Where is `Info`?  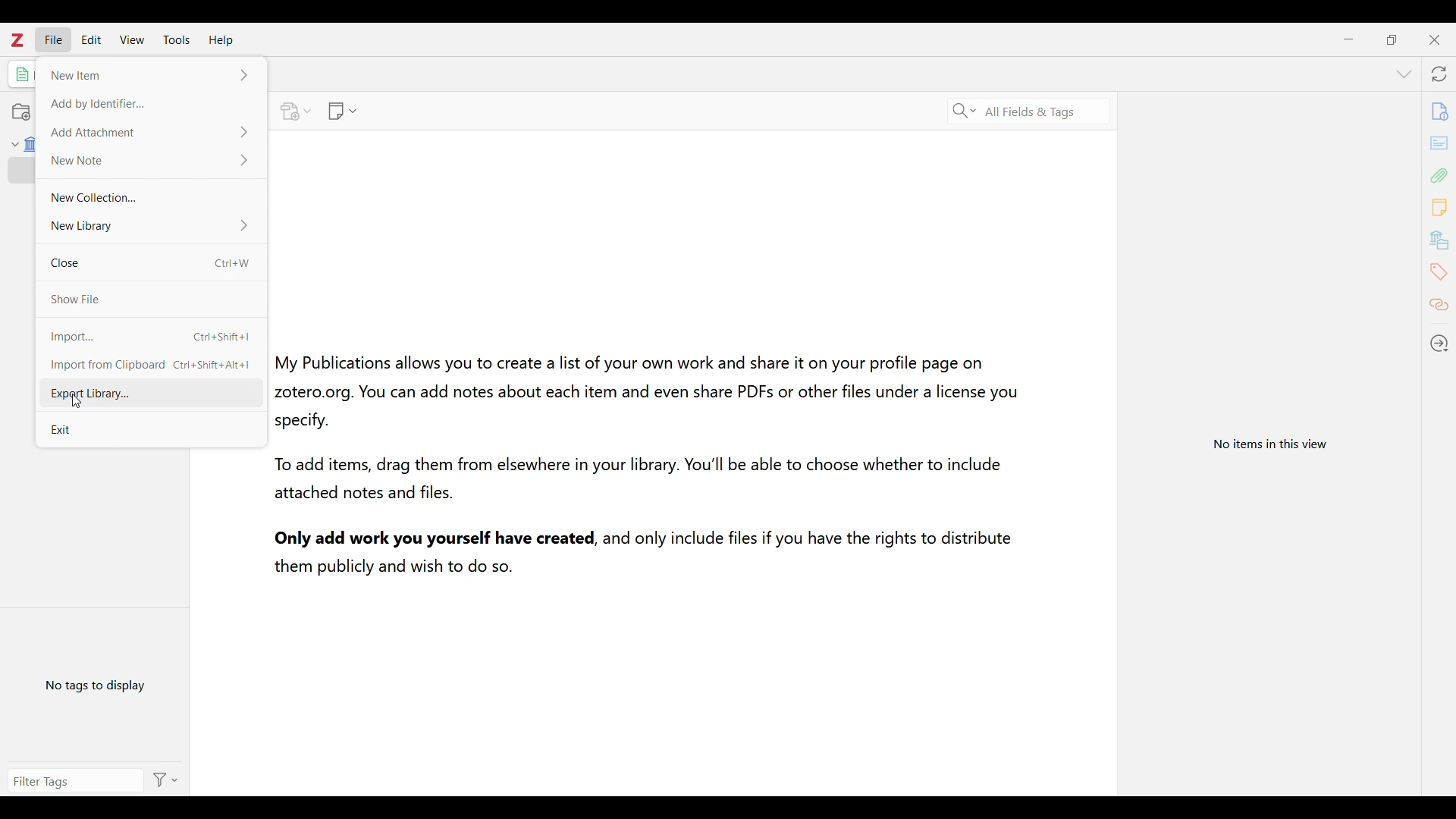
Info is located at coordinates (1440, 110).